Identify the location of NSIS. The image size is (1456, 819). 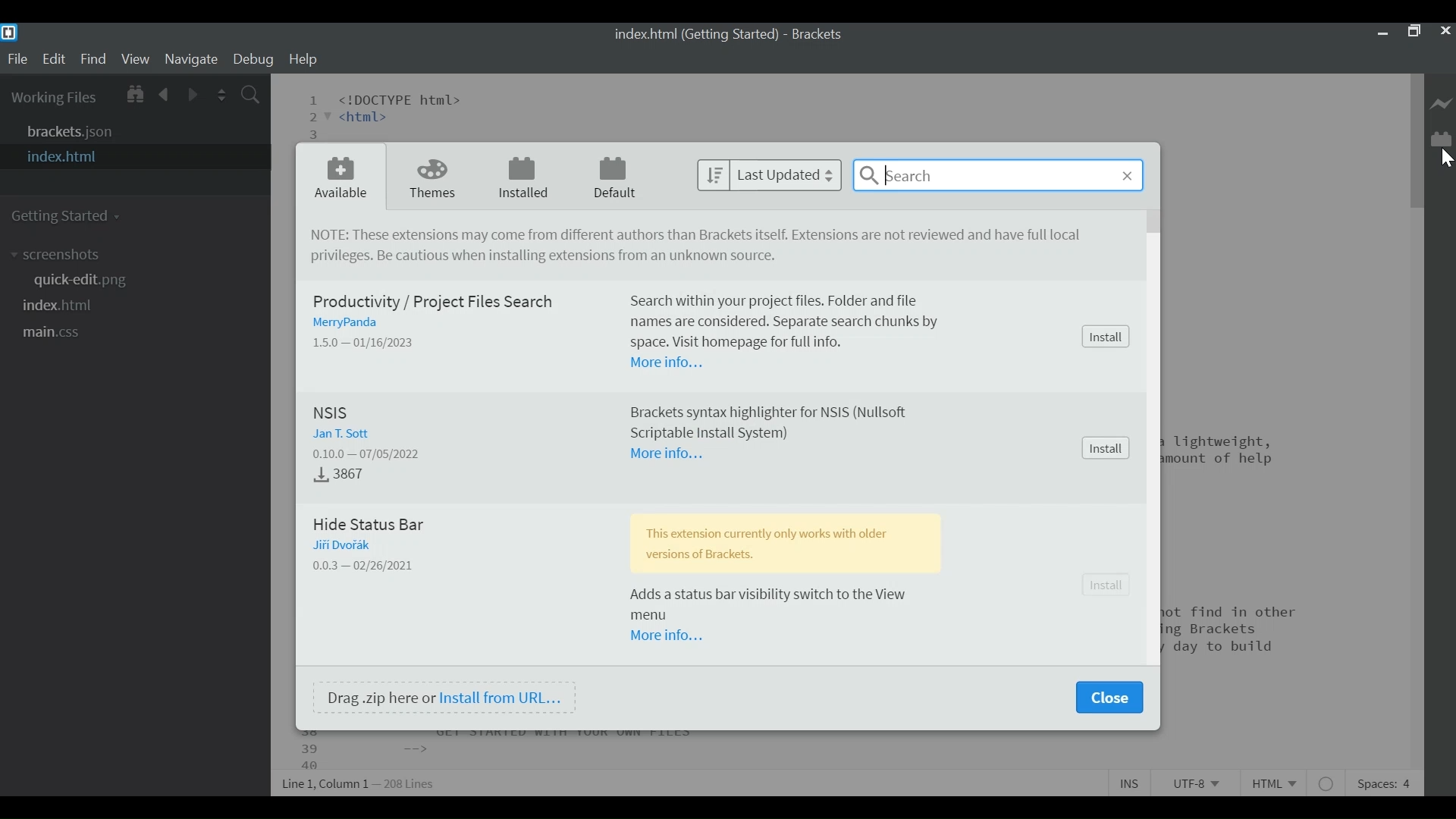
(331, 410).